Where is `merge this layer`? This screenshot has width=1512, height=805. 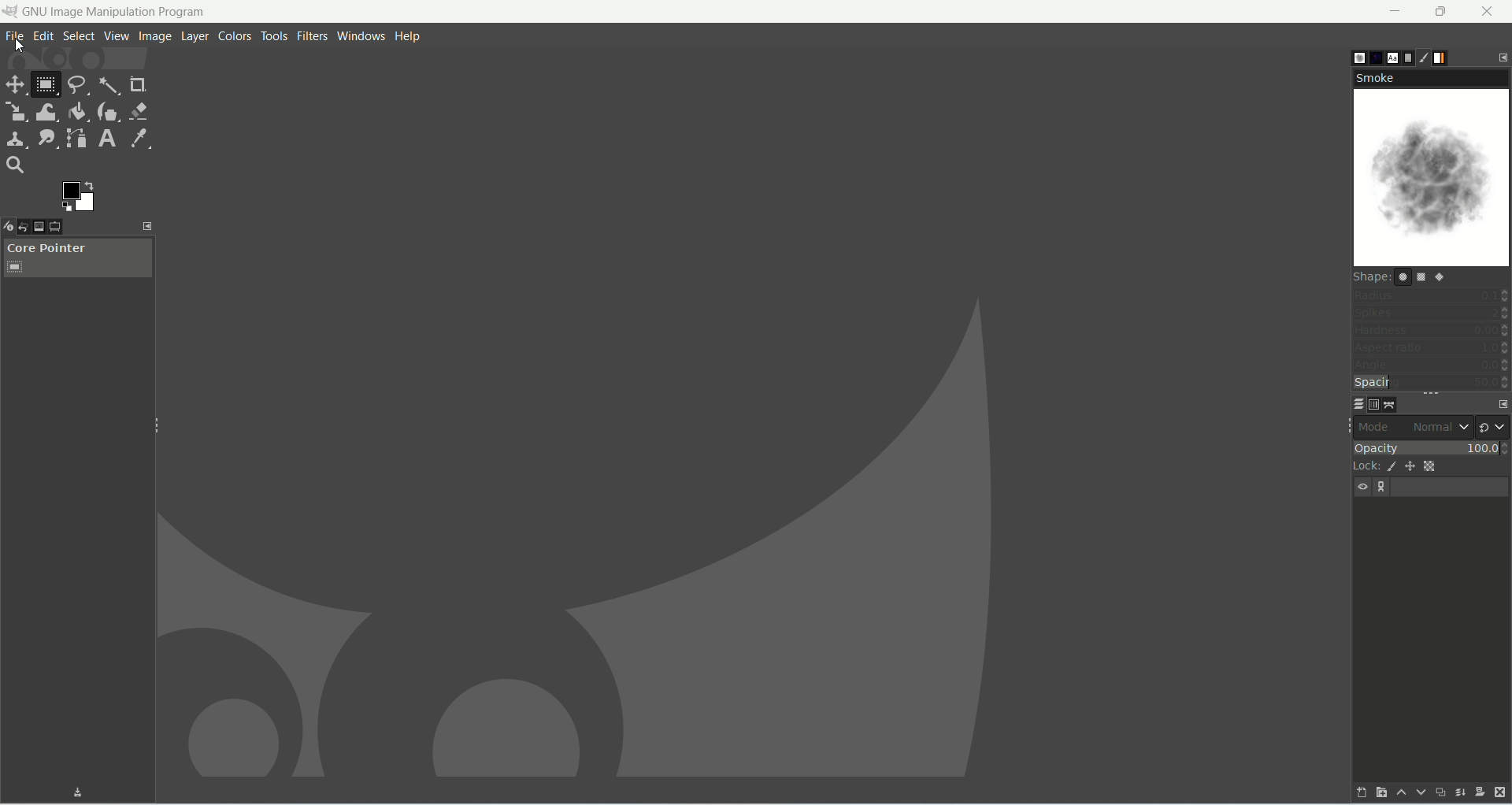 merge this layer is located at coordinates (1460, 794).